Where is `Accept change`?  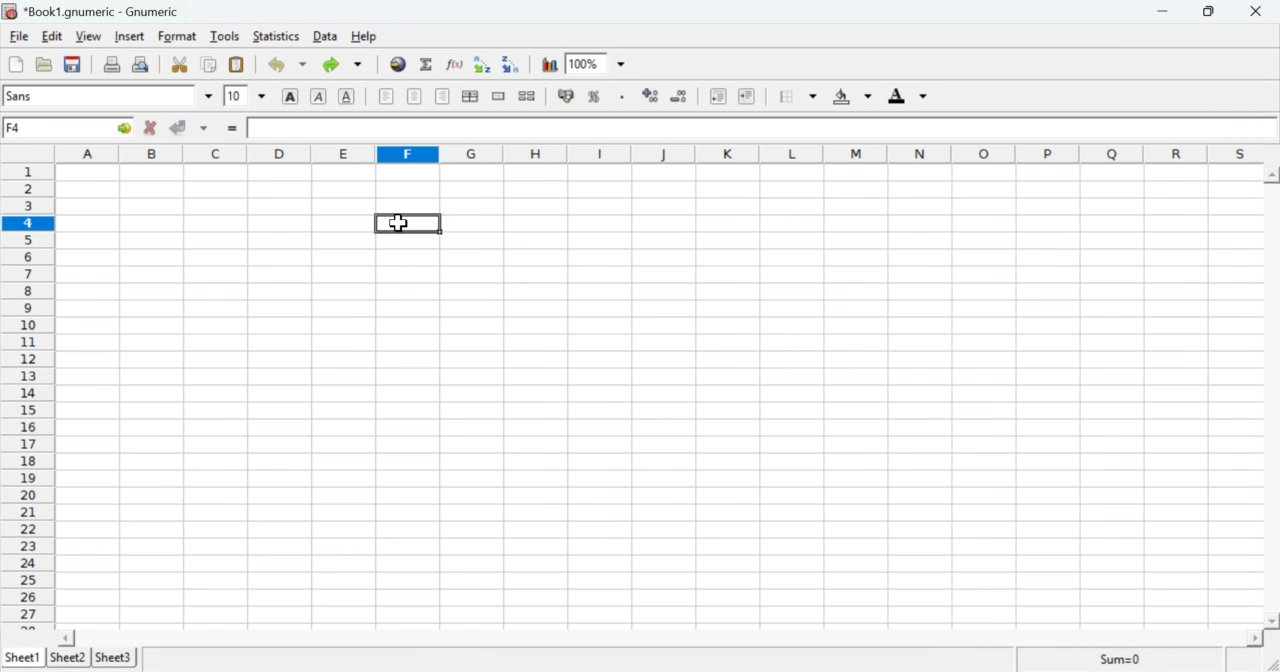 Accept change is located at coordinates (180, 125).